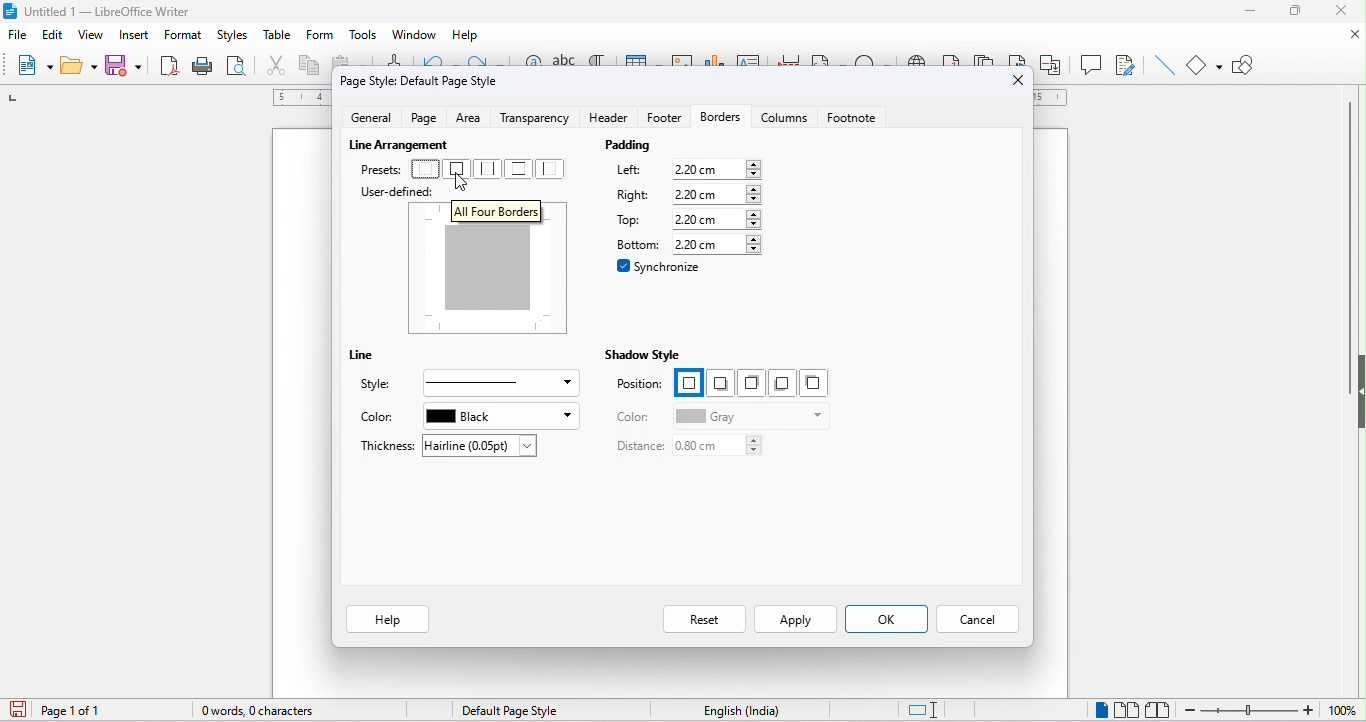 The height and width of the screenshot is (722, 1366). Describe the element at coordinates (74, 710) in the screenshot. I see `page number in document` at that location.